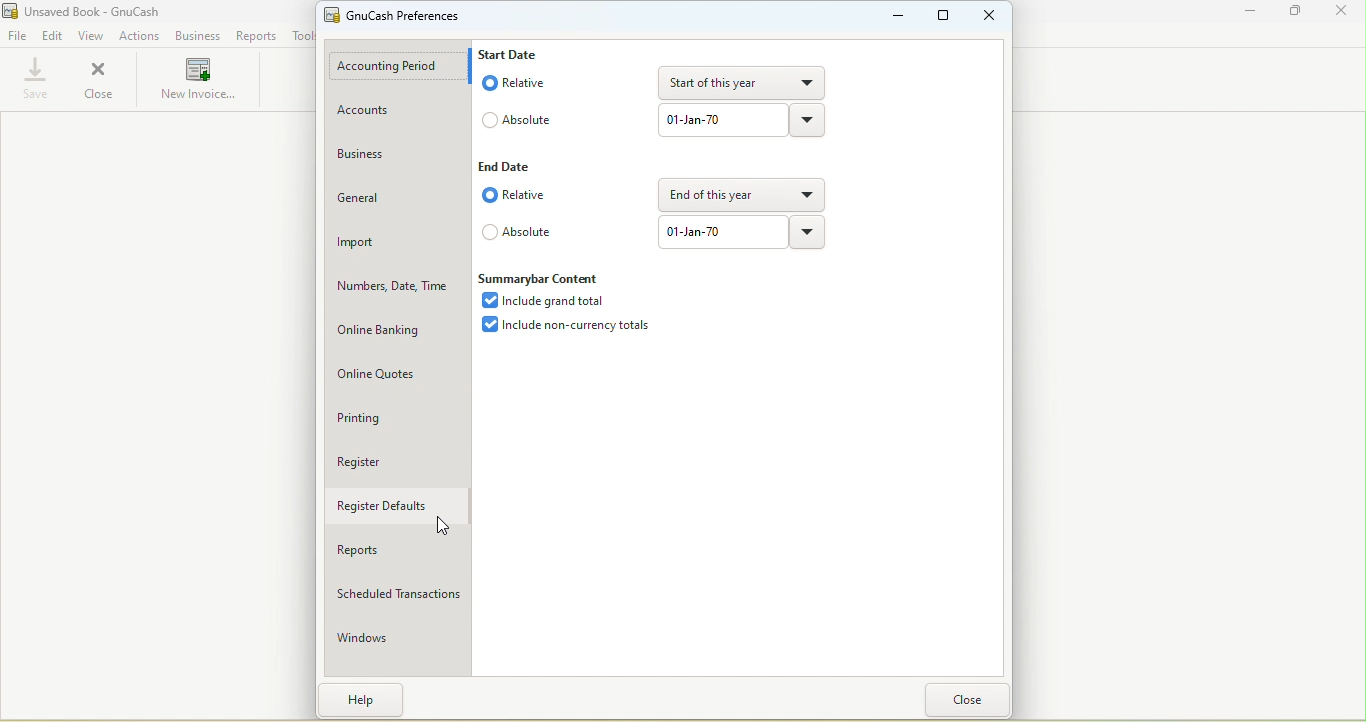  Describe the element at coordinates (256, 36) in the screenshot. I see `Reports` at that location.